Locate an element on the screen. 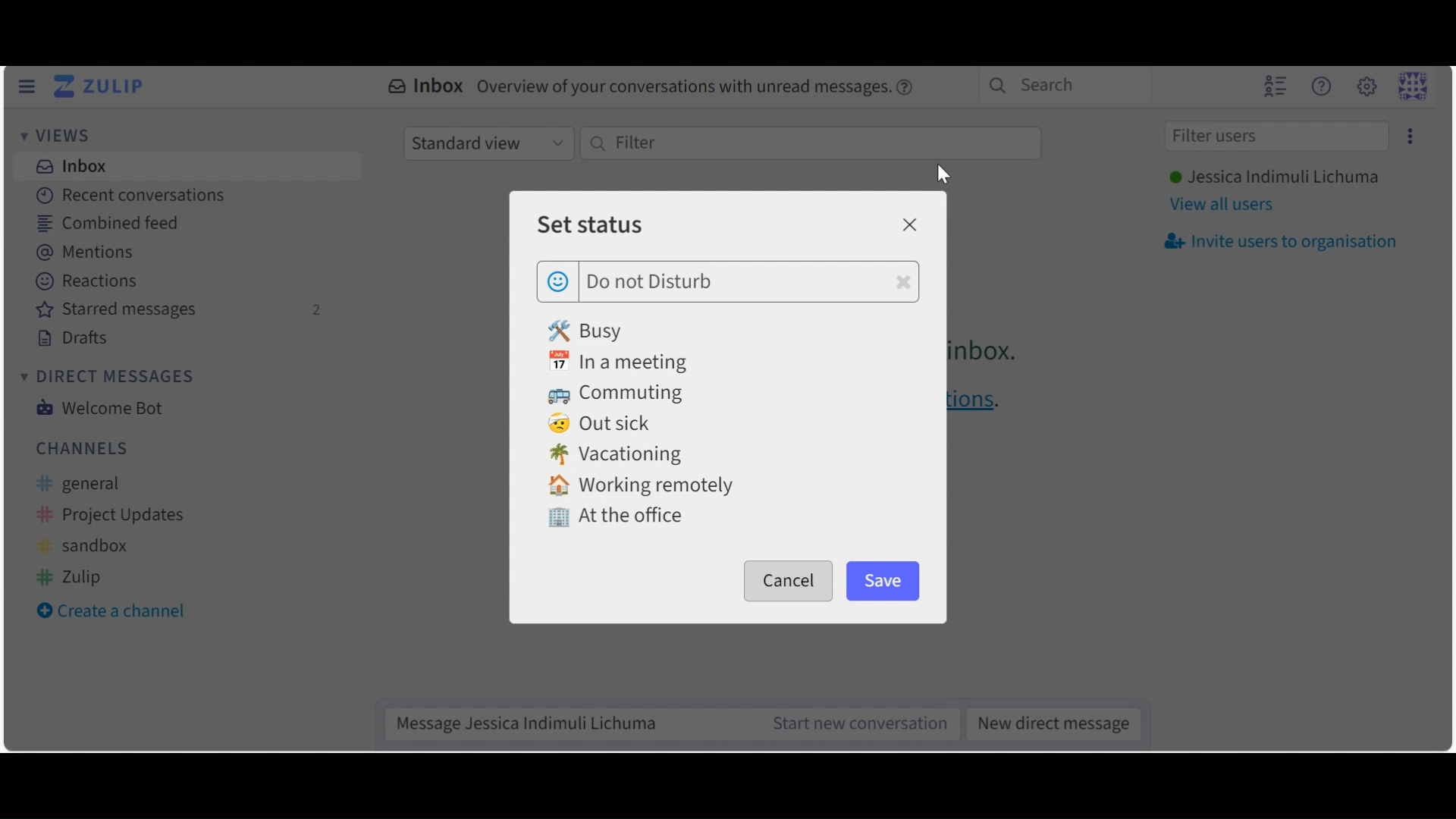 The image size is (1456, 819). Views is located at coordinates (60, 137).